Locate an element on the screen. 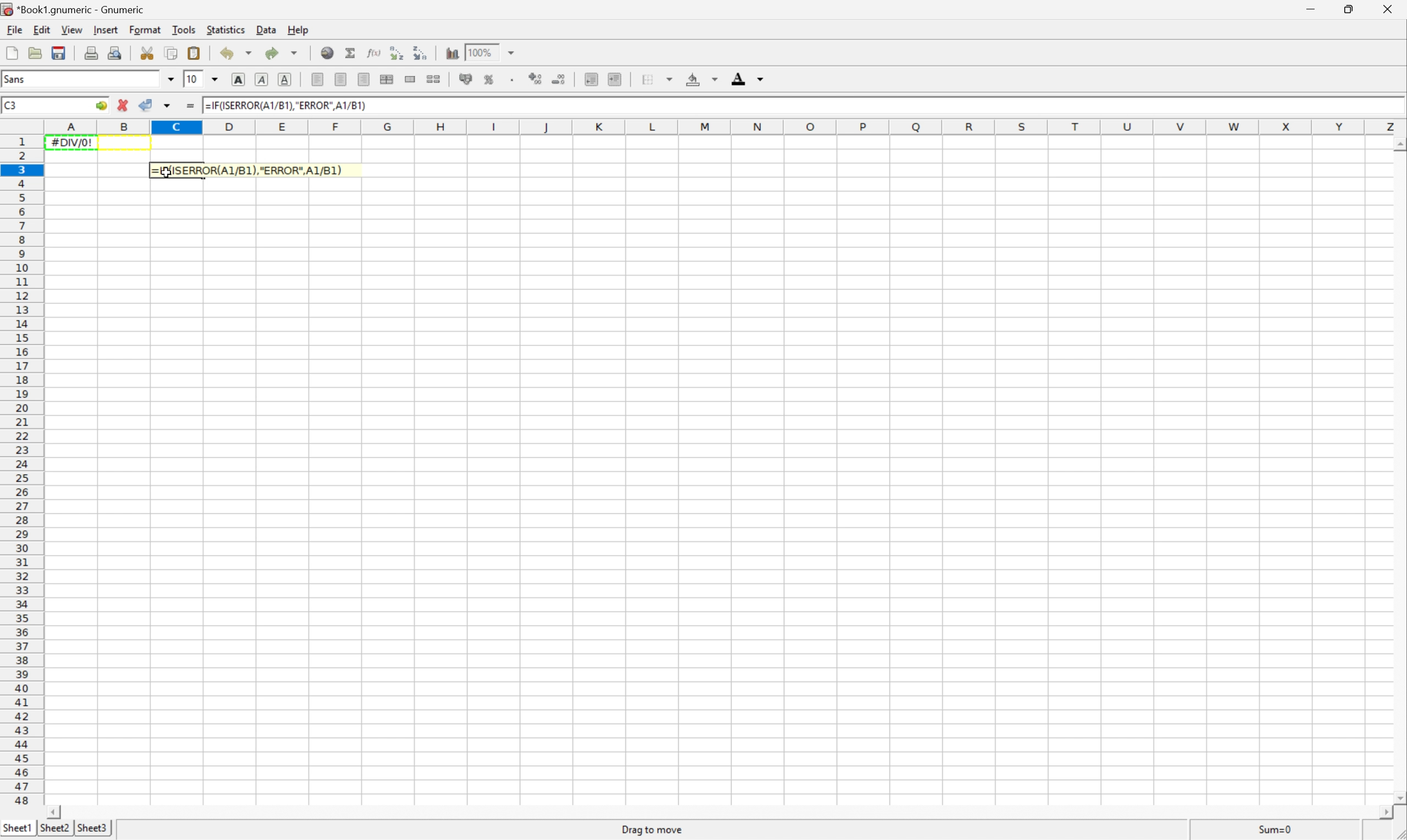 The height and width of the screenshot is (840, 1407). Decrease the intent and align the contents to left is located at coordinates (594, 79).